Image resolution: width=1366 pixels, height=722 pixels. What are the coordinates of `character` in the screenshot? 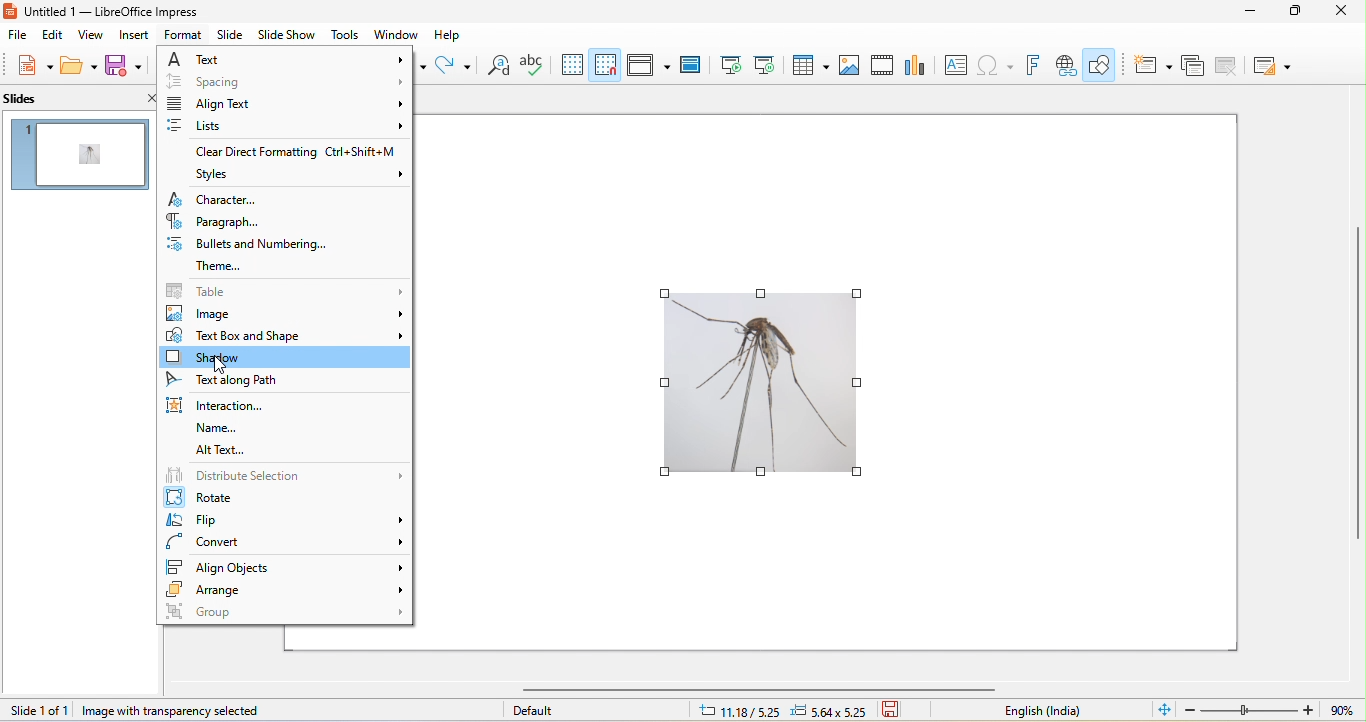 It's located at (286, 199).